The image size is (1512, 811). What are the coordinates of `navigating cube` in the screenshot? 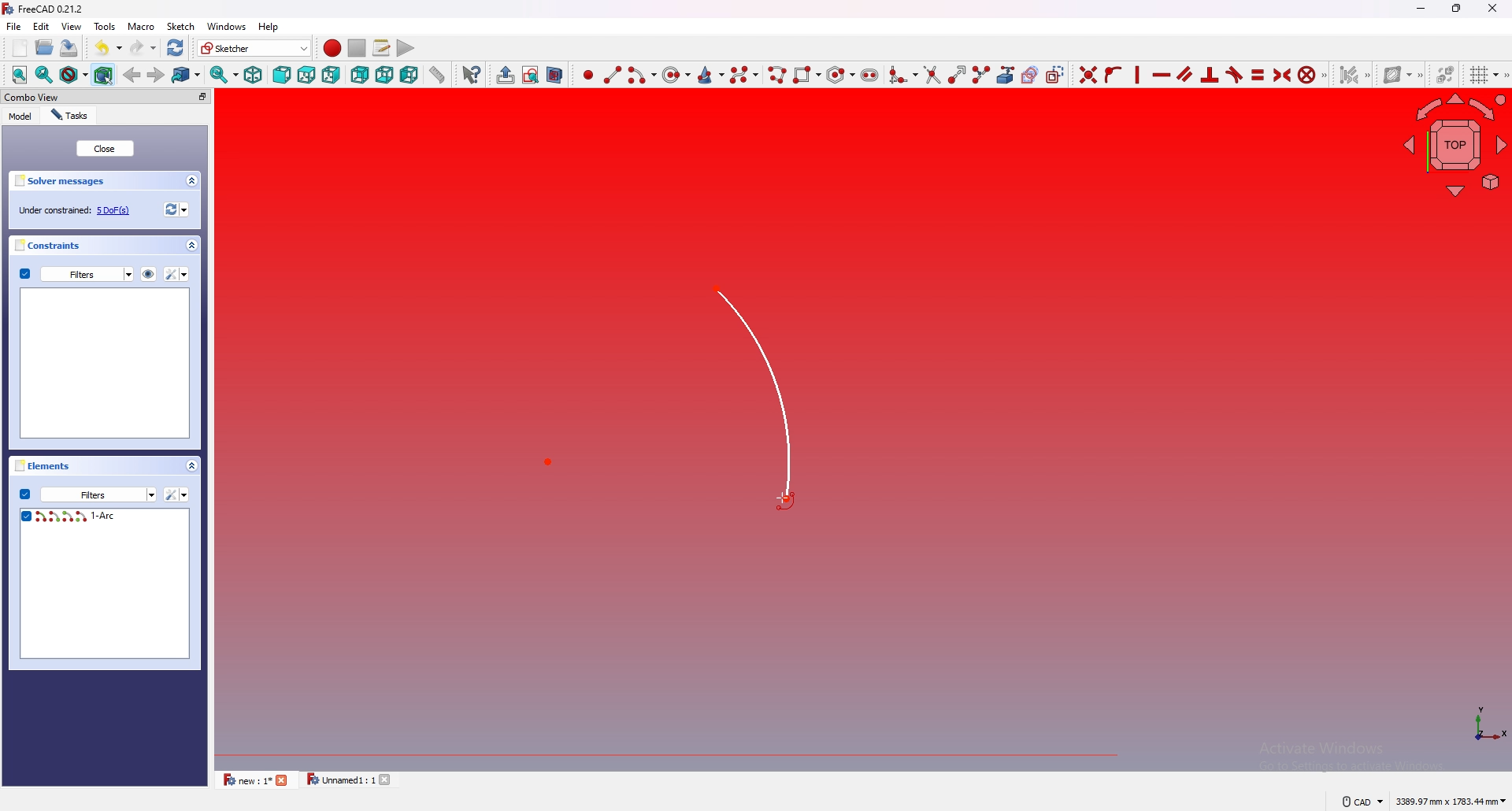 It's located at (1455, 143).